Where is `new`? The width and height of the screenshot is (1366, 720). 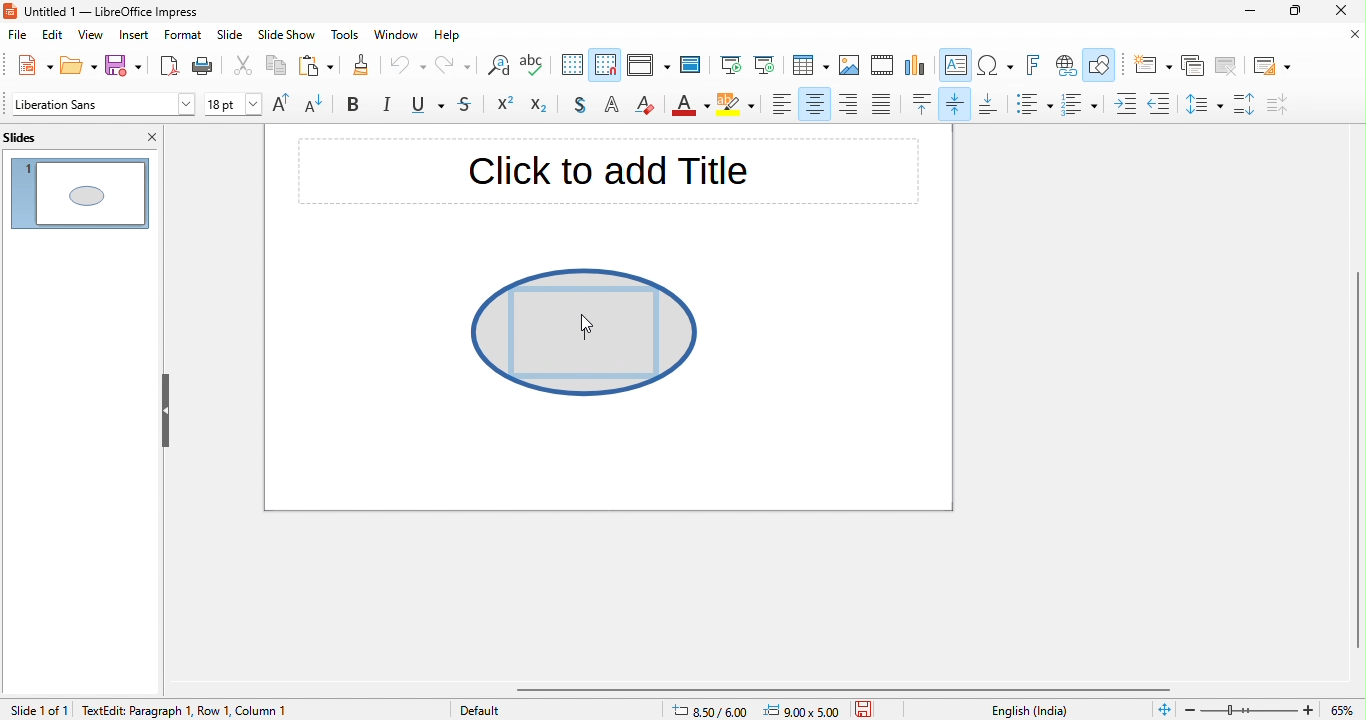 new is located at coordinates (28, 65).